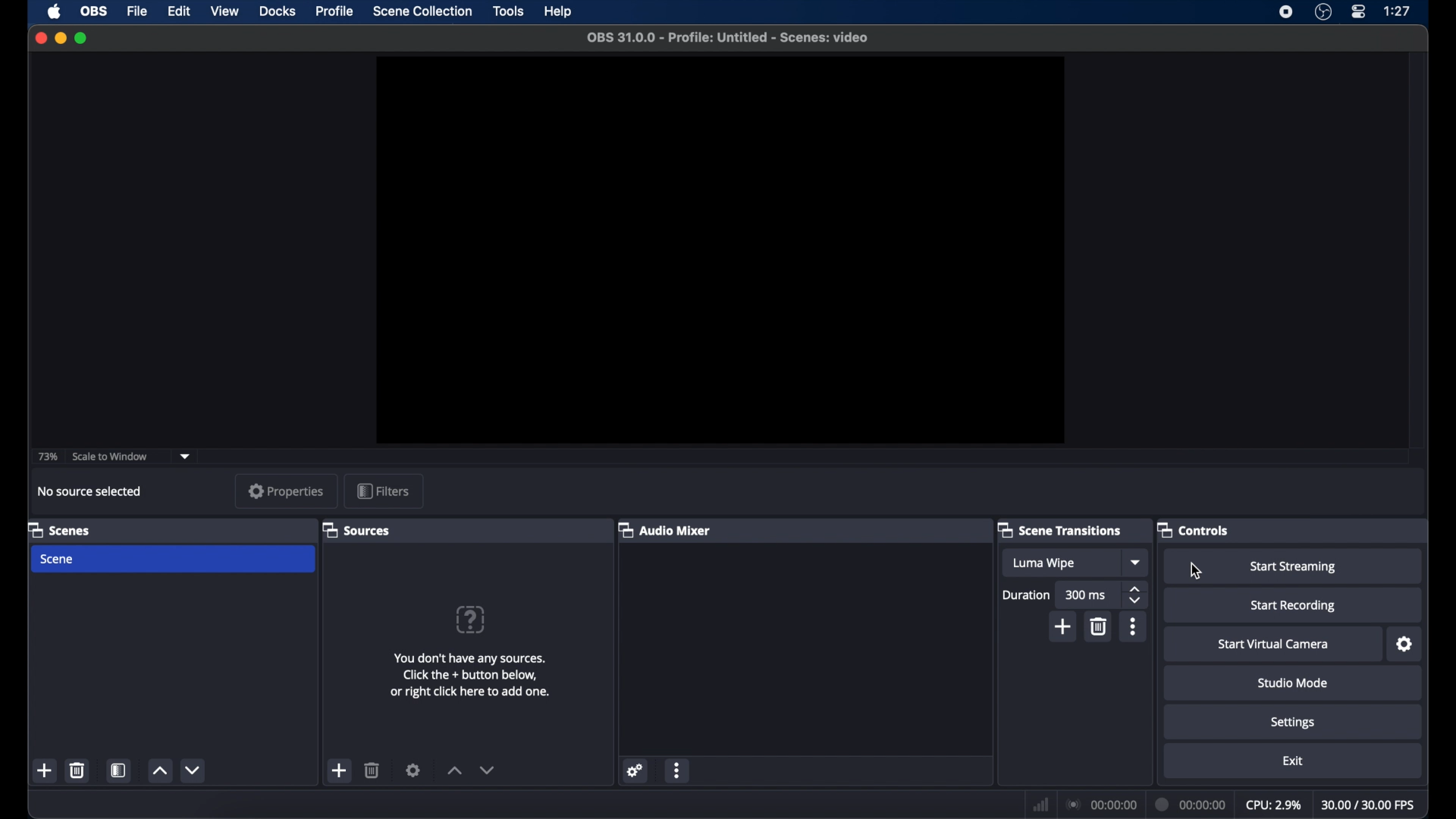 This screenshot has height=819, width=1456. Describe the element at coordinates (83, 38) in the screenshot. I see `maximize` at that location.